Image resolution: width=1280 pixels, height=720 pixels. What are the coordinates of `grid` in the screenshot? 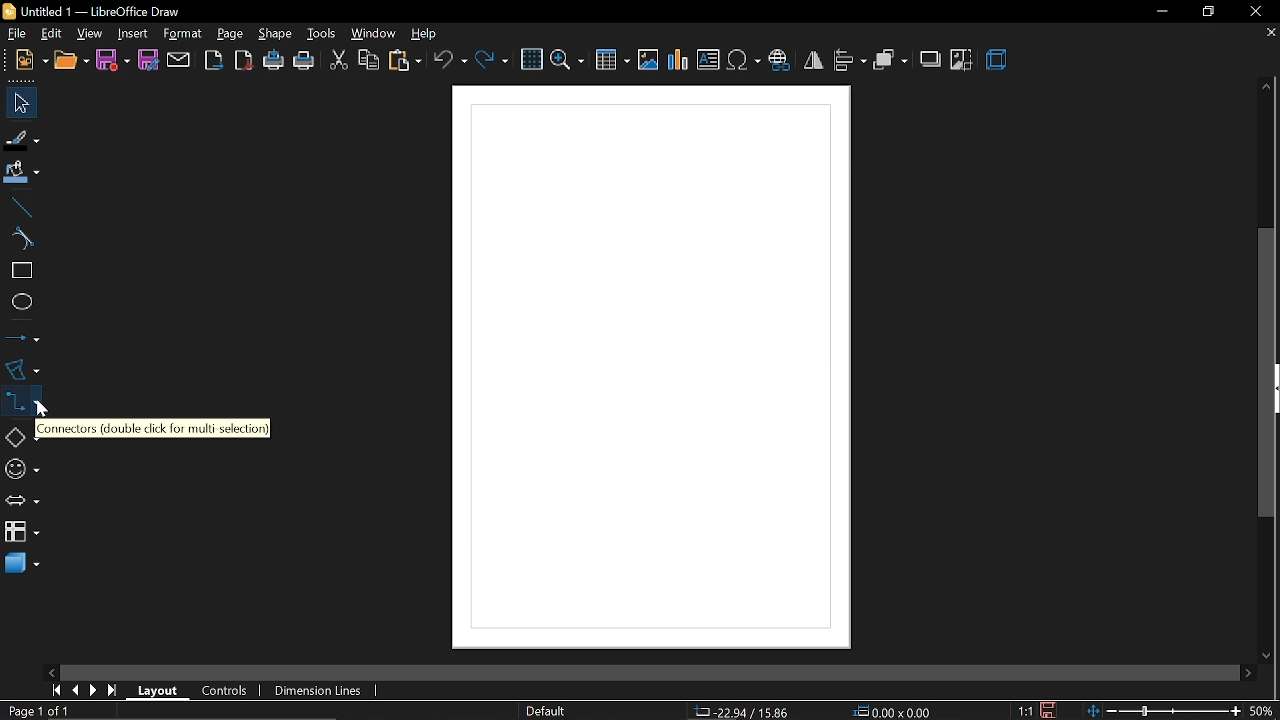 It's located at (530, 59).